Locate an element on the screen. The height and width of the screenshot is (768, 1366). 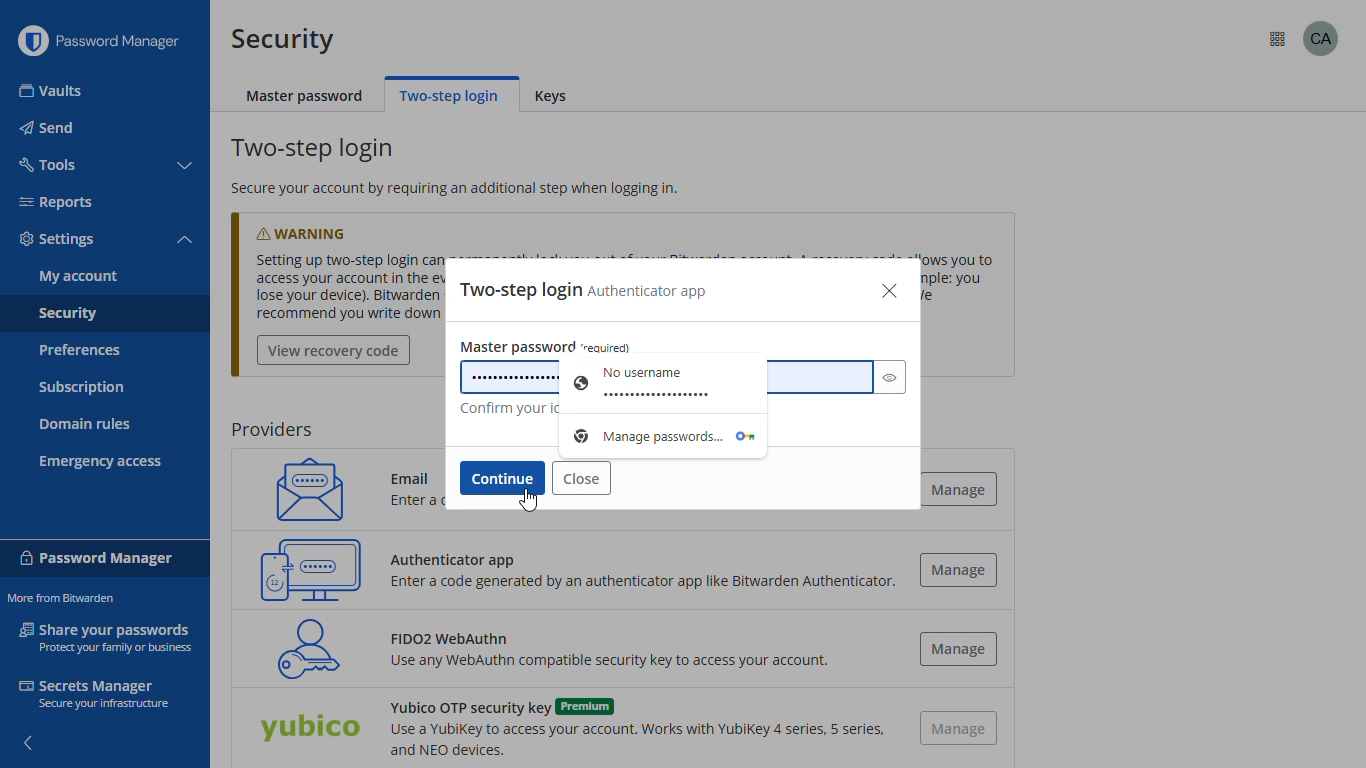
reports is located at coordinates (56, 202).